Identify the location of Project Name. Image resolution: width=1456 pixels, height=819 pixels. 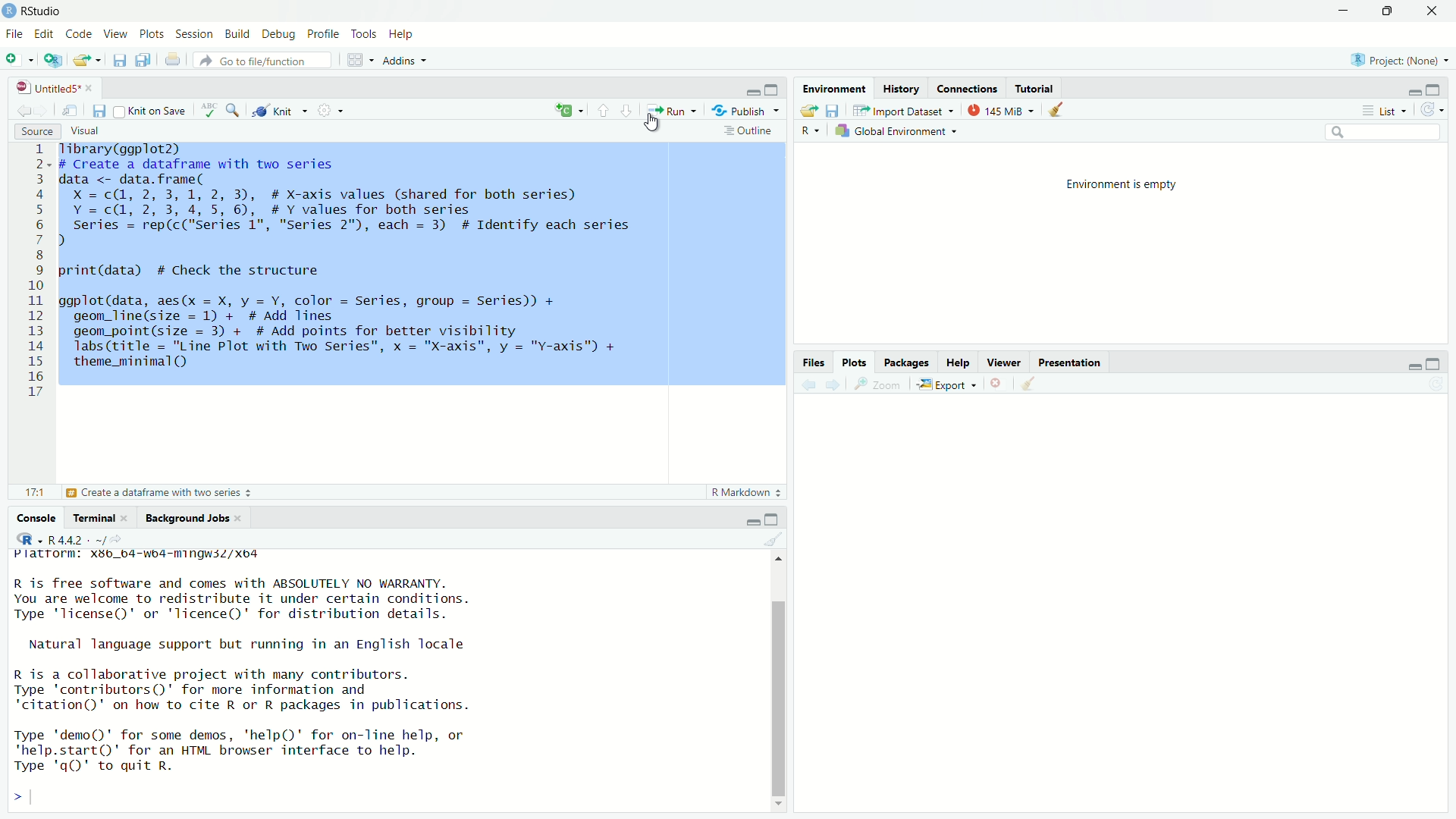
(1398, 62).